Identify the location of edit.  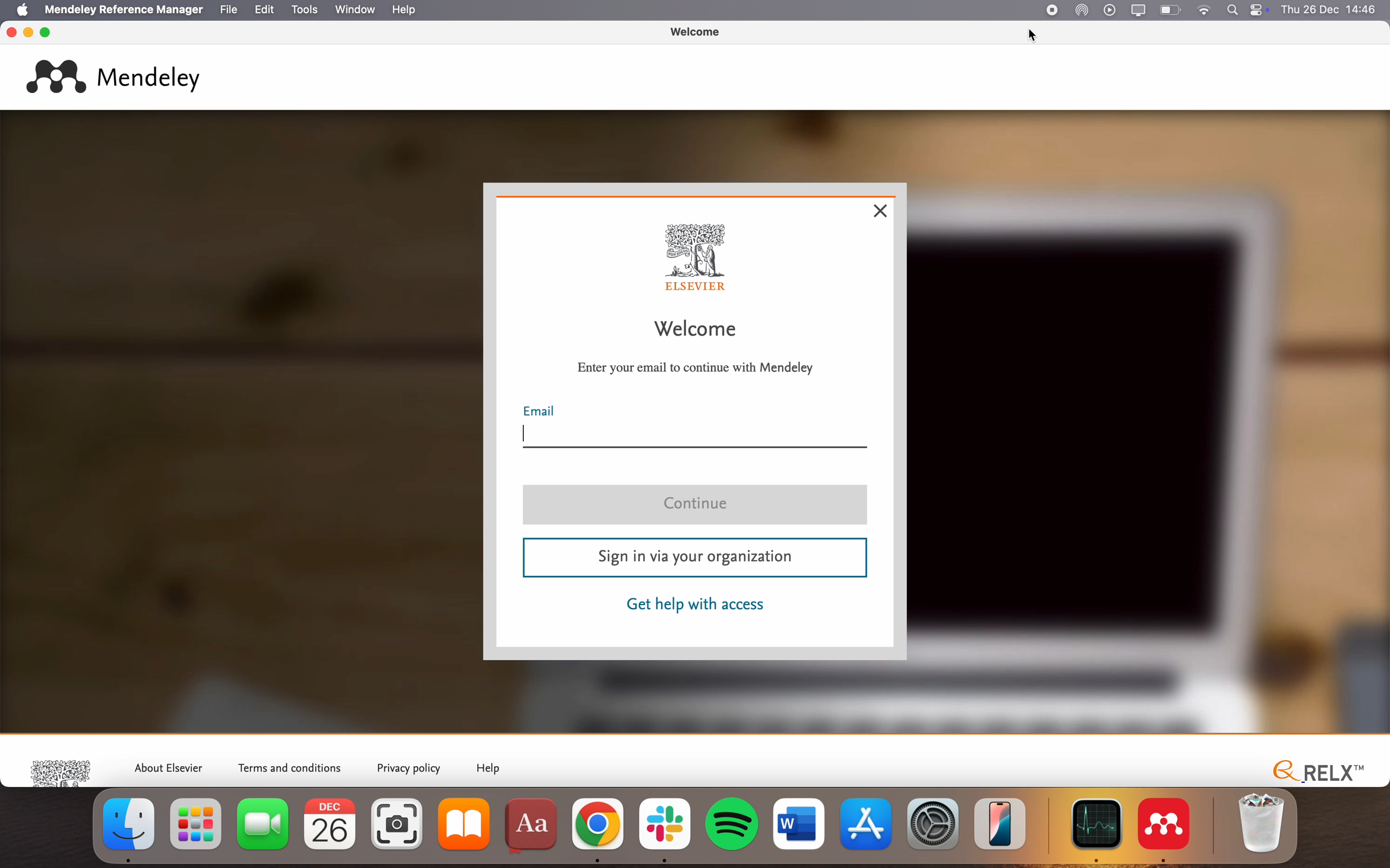
(262, 9).